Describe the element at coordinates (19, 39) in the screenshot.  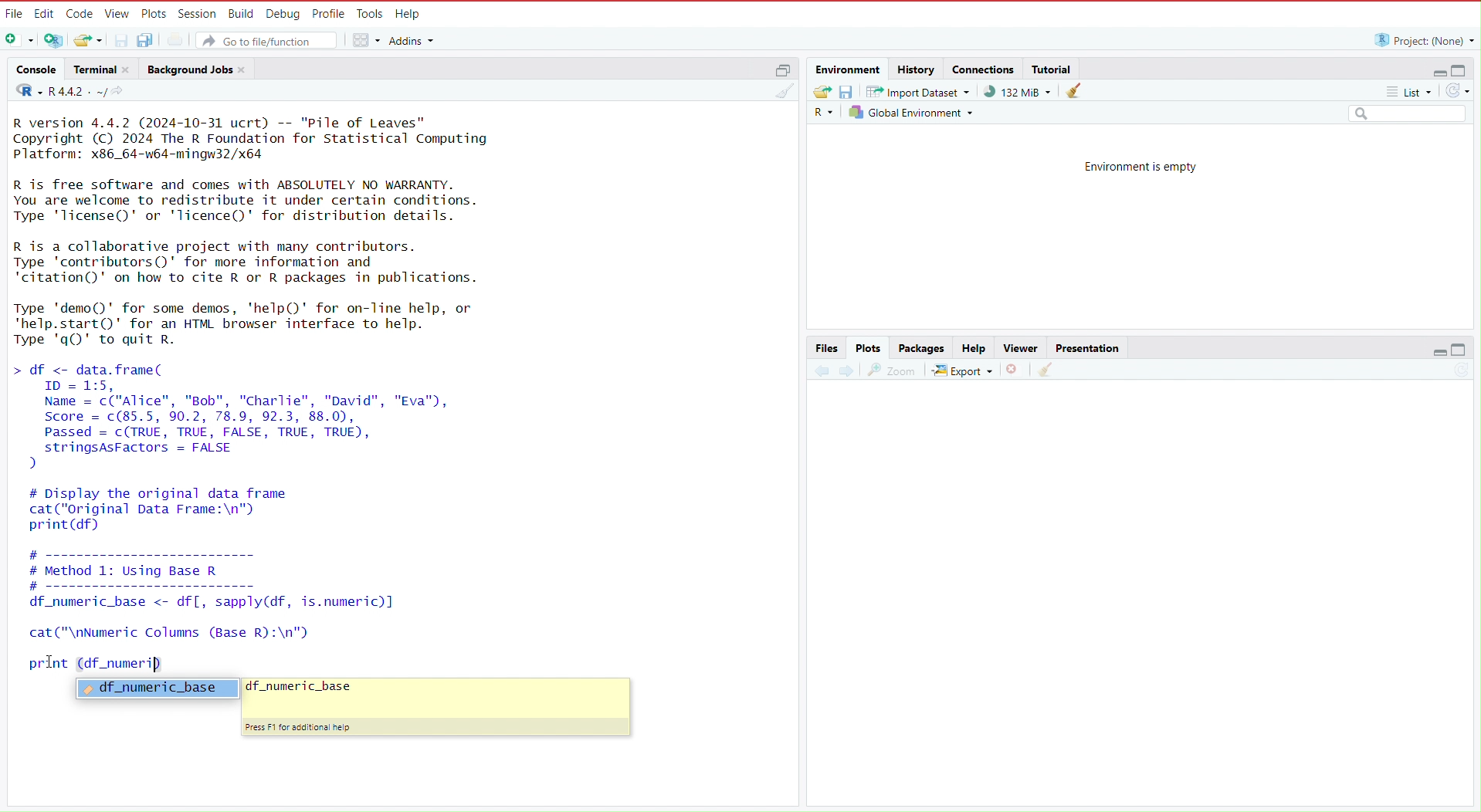
I see `New file` at that location.